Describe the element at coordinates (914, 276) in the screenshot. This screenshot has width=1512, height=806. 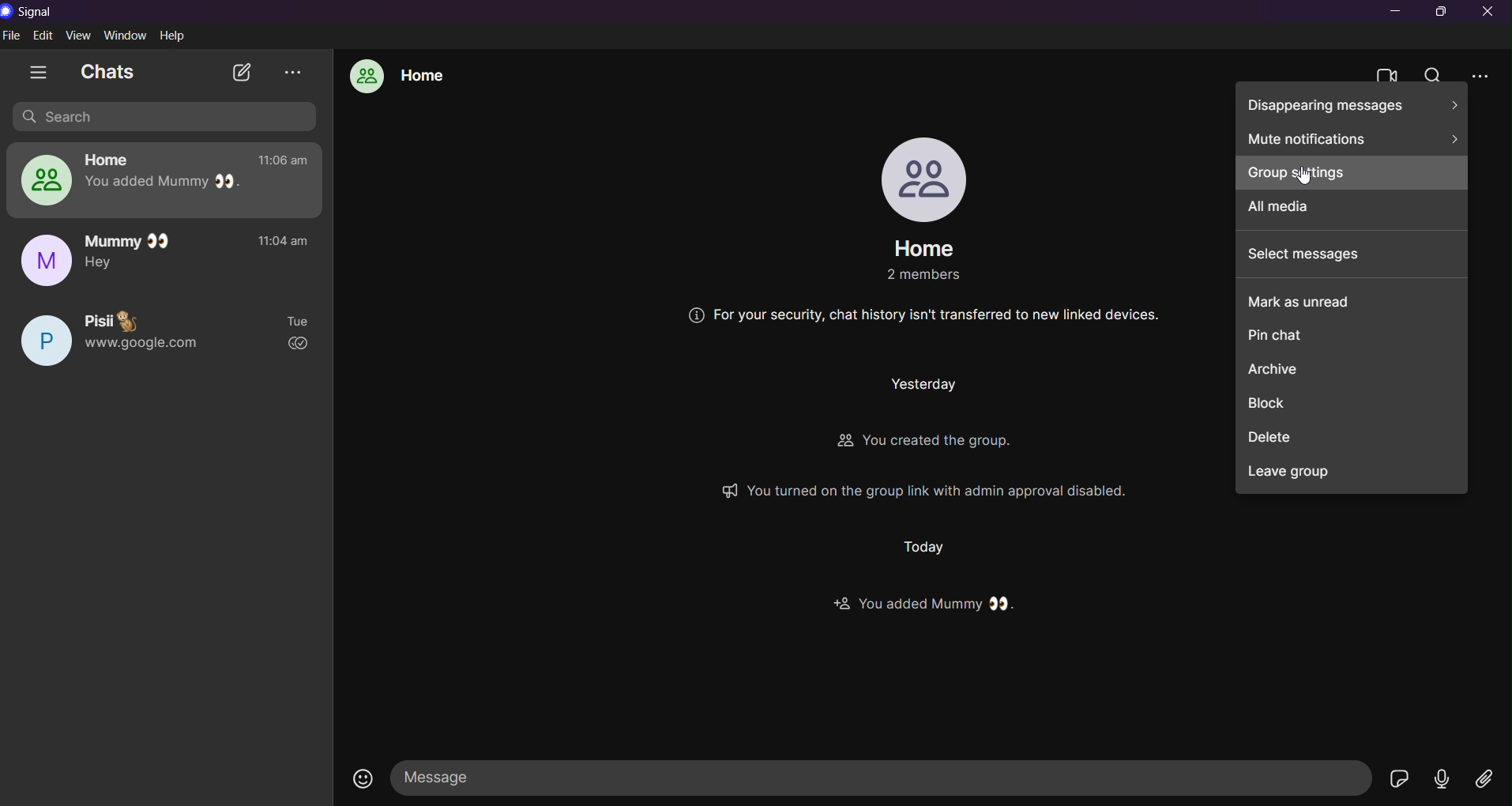
I see `2 members` at that location.